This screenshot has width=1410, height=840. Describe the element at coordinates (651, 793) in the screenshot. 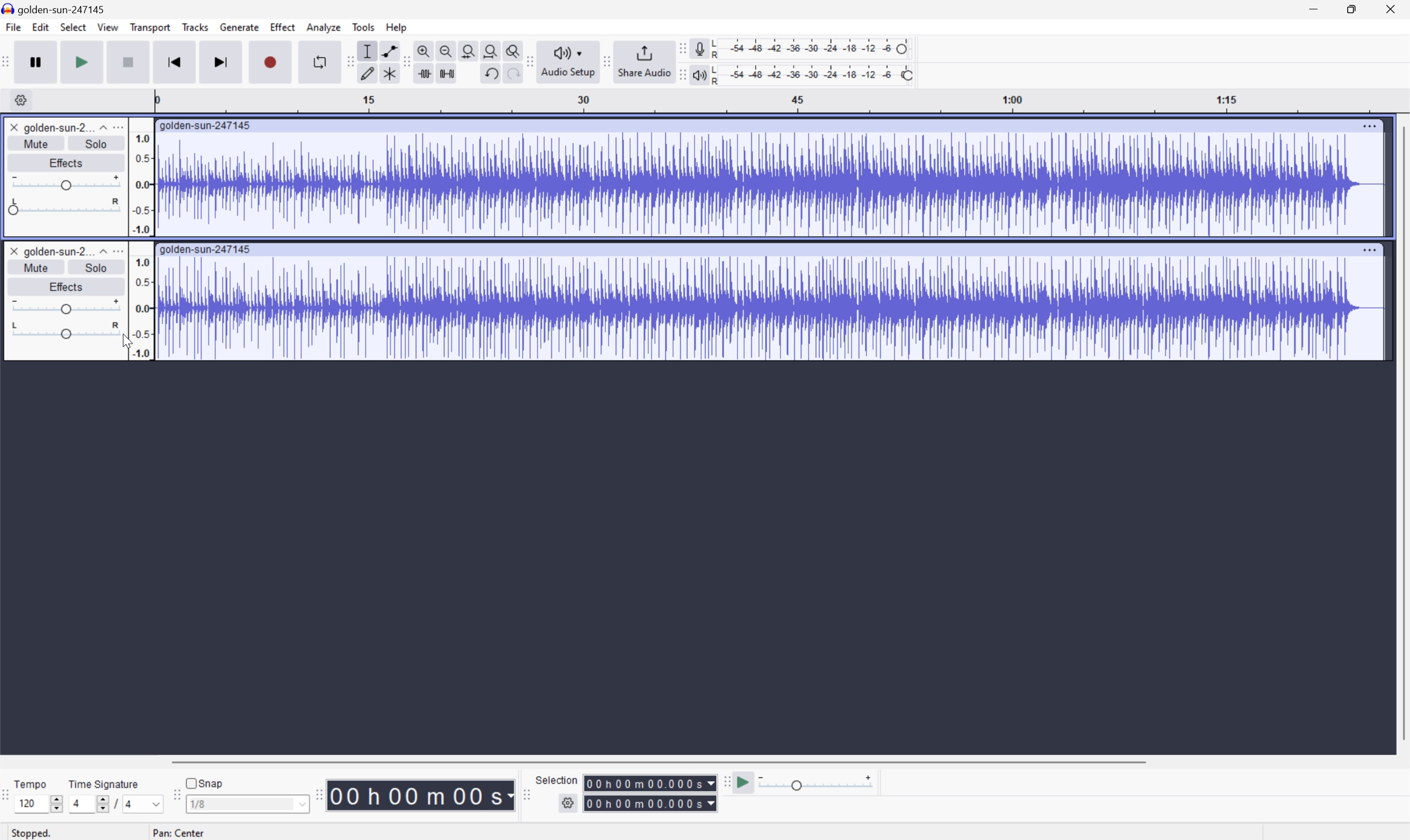

I see `Selection` at that location.